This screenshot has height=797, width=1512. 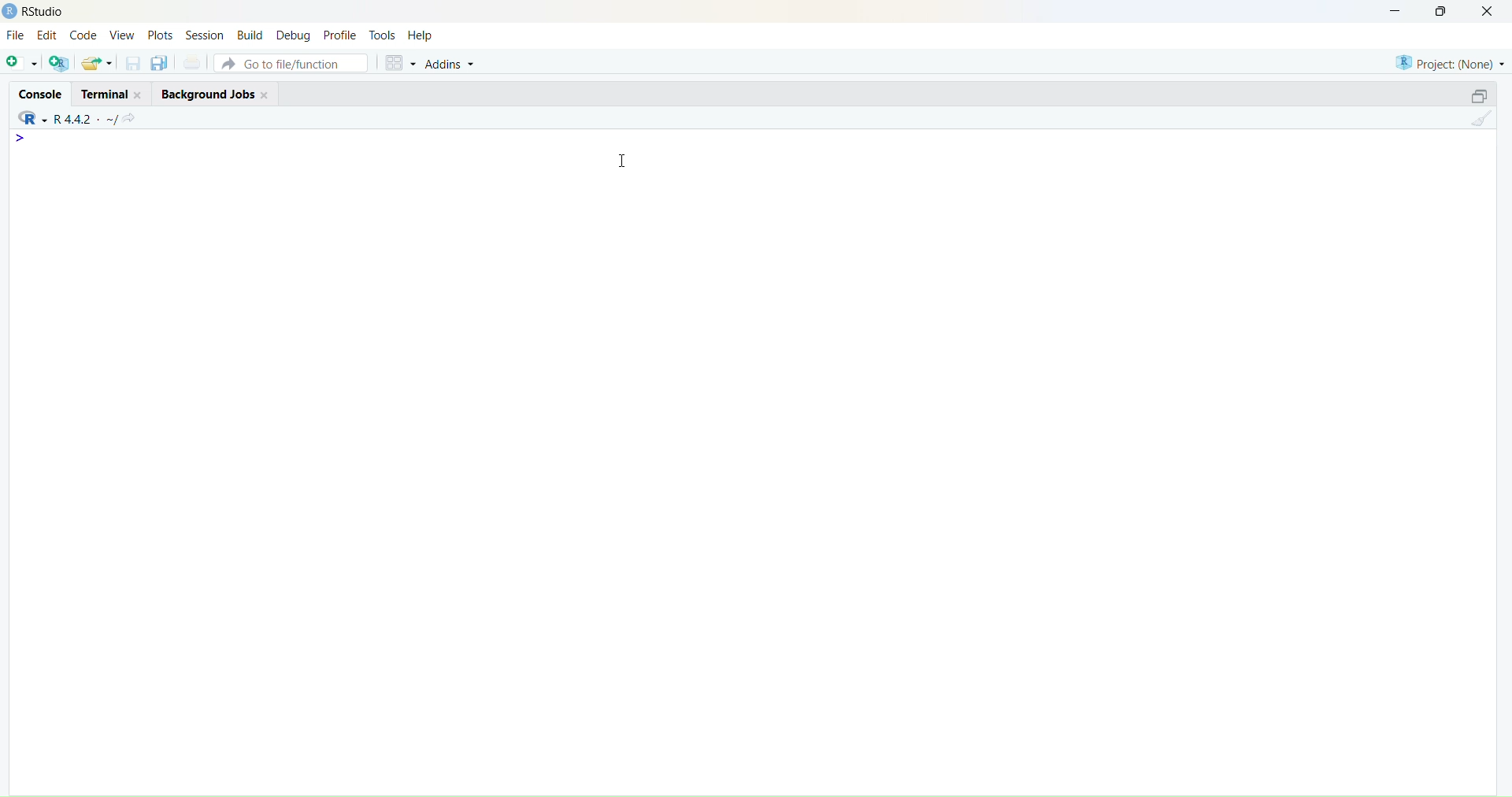 What do you see at coordinates (1478, 124) in the screenshot?
I see `Clear Console (Ctrl + L)` at bounding box center [1478, 124].